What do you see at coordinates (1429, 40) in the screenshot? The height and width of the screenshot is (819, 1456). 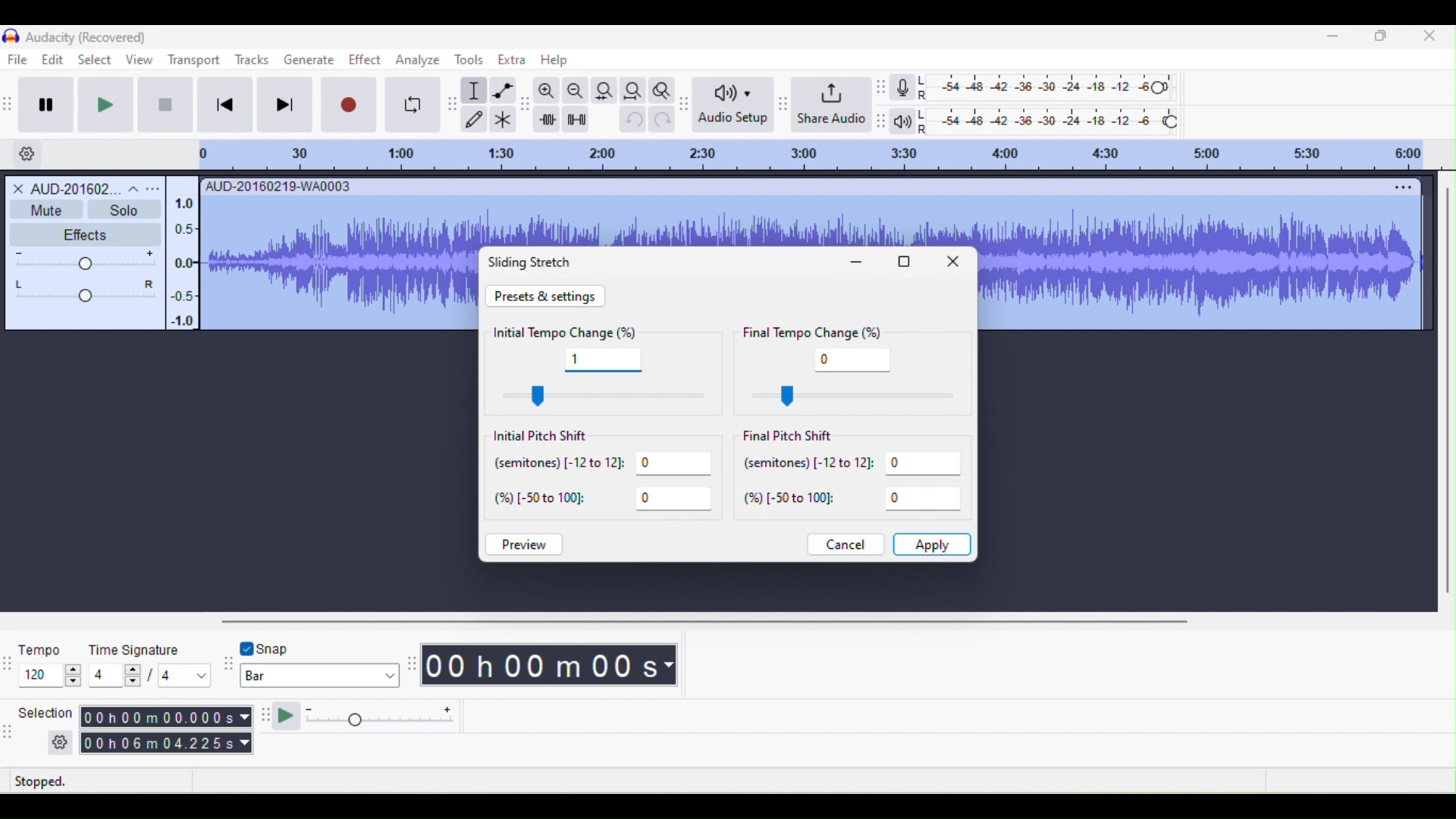 I see `close` at bounding box center [1429, 40].